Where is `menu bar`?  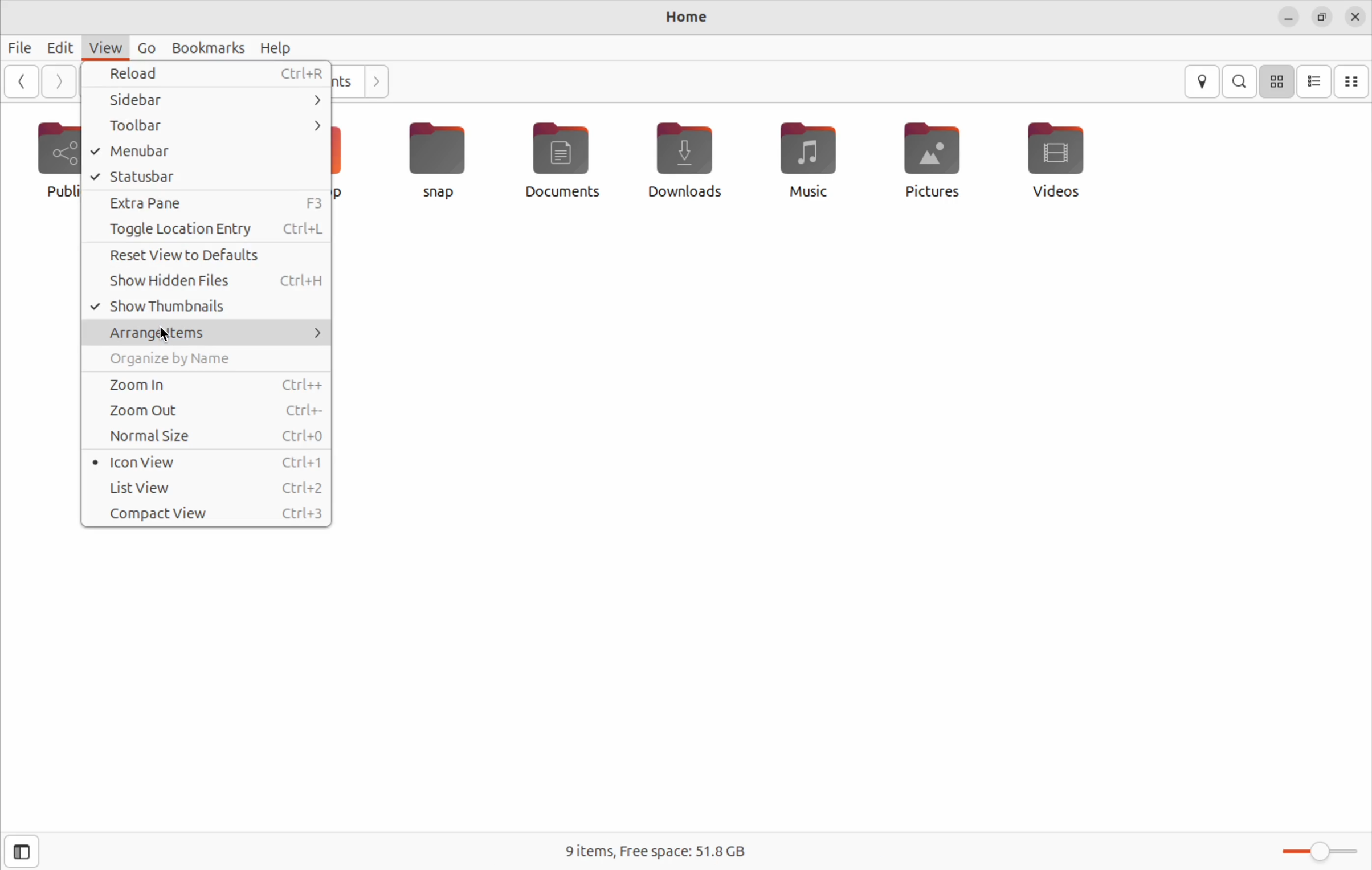
menu bar is located at coordinates (210, 151).